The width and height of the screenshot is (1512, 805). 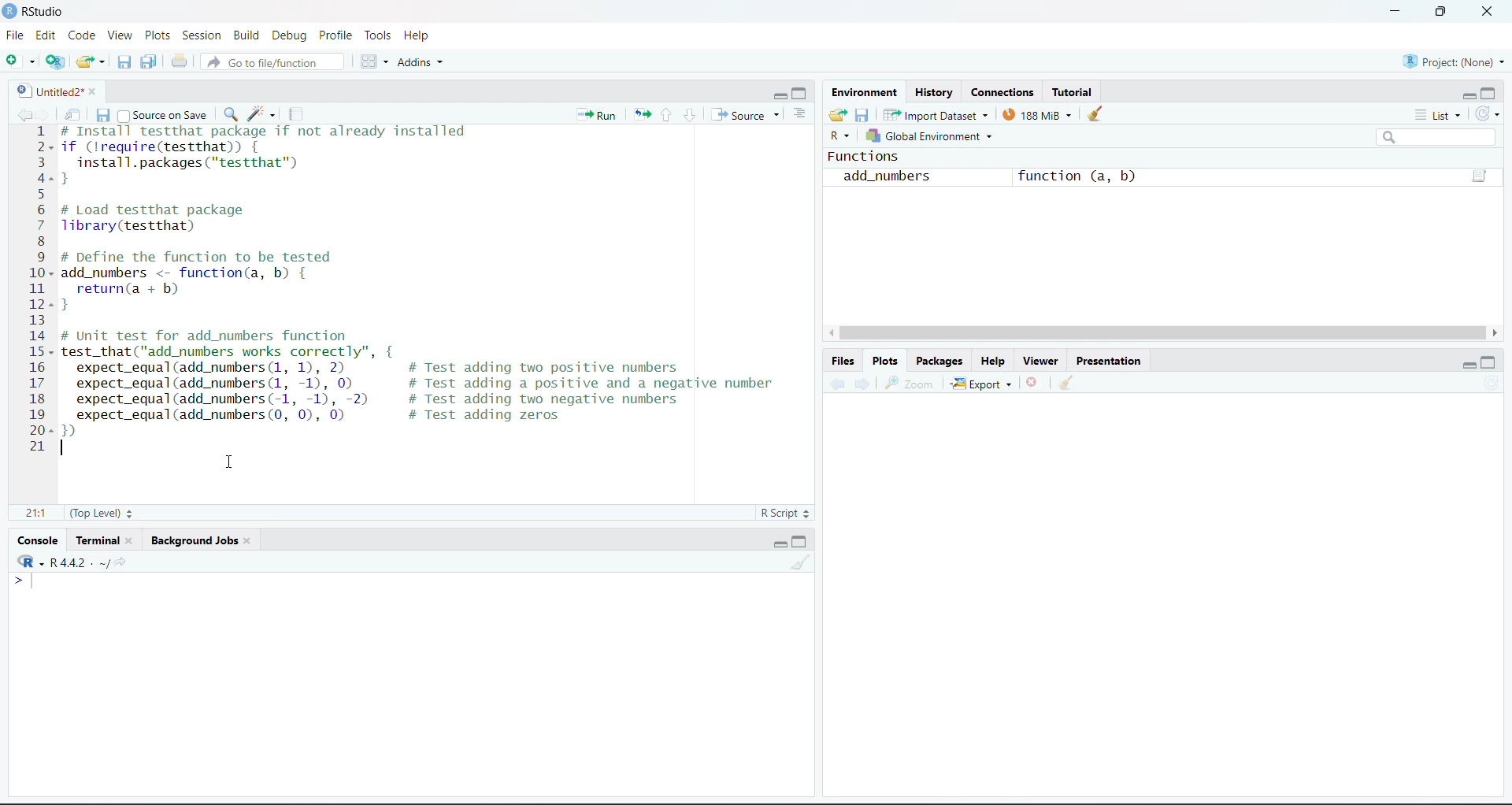 I want to click on text cursor, so click(x=35, y=581).